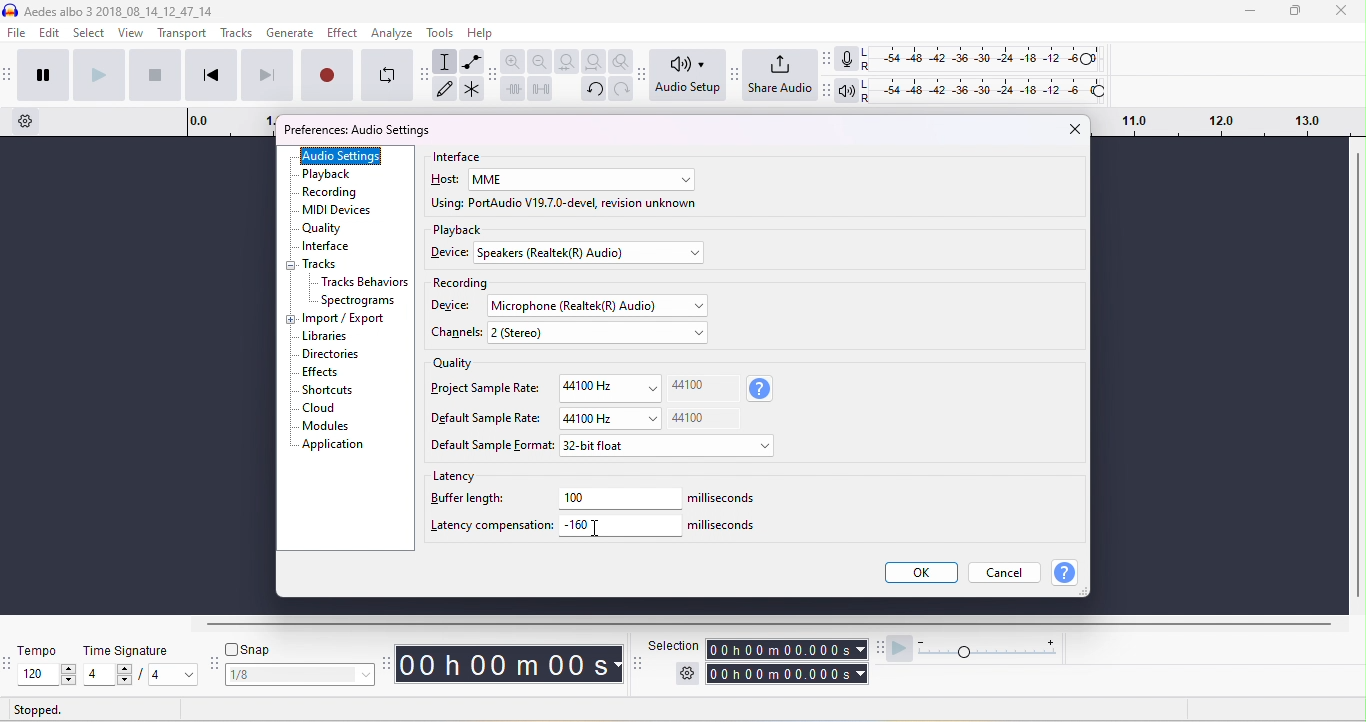 The image size is (1366, 722). What do you see at coordinates (919, 572) in the screenshot?
I see `ok ` at bounding box center [919, 572].